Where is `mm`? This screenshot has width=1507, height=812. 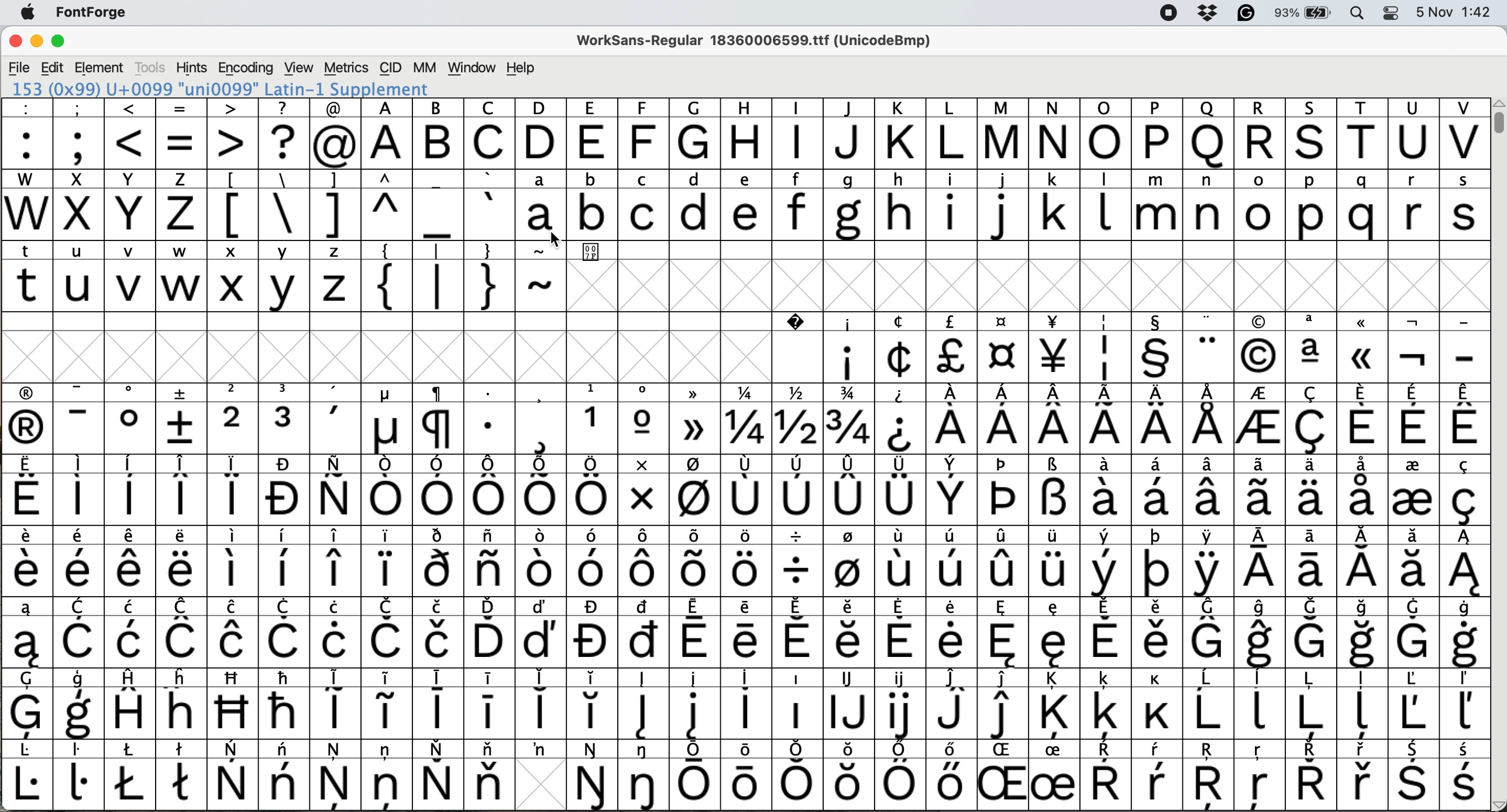
mm is located at coordinates (424, 67).